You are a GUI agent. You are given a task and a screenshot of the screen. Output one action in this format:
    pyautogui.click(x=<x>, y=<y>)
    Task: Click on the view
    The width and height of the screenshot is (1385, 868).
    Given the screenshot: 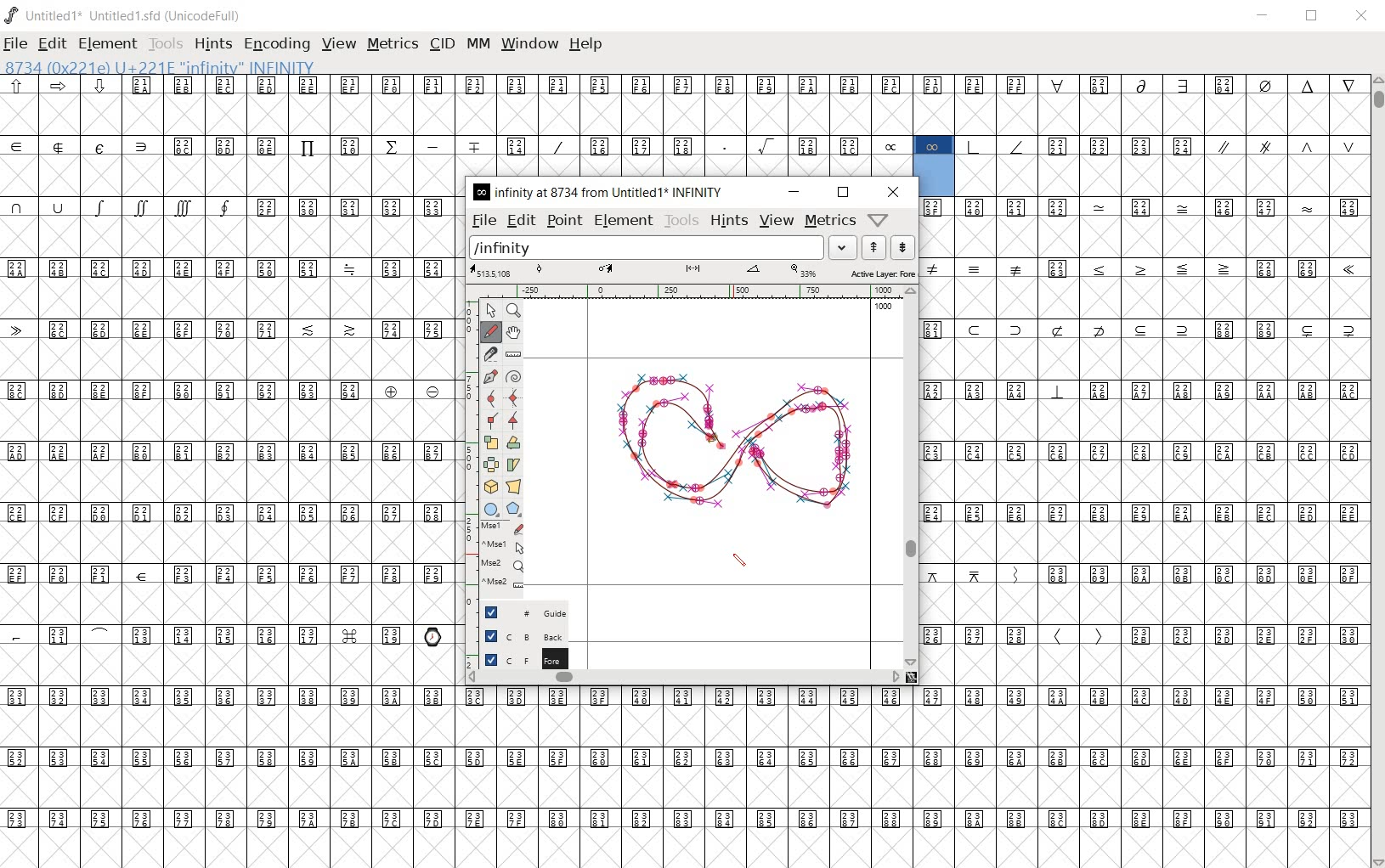 What is the action you would take?
    pyautogui.click(x=341, y=43)
    